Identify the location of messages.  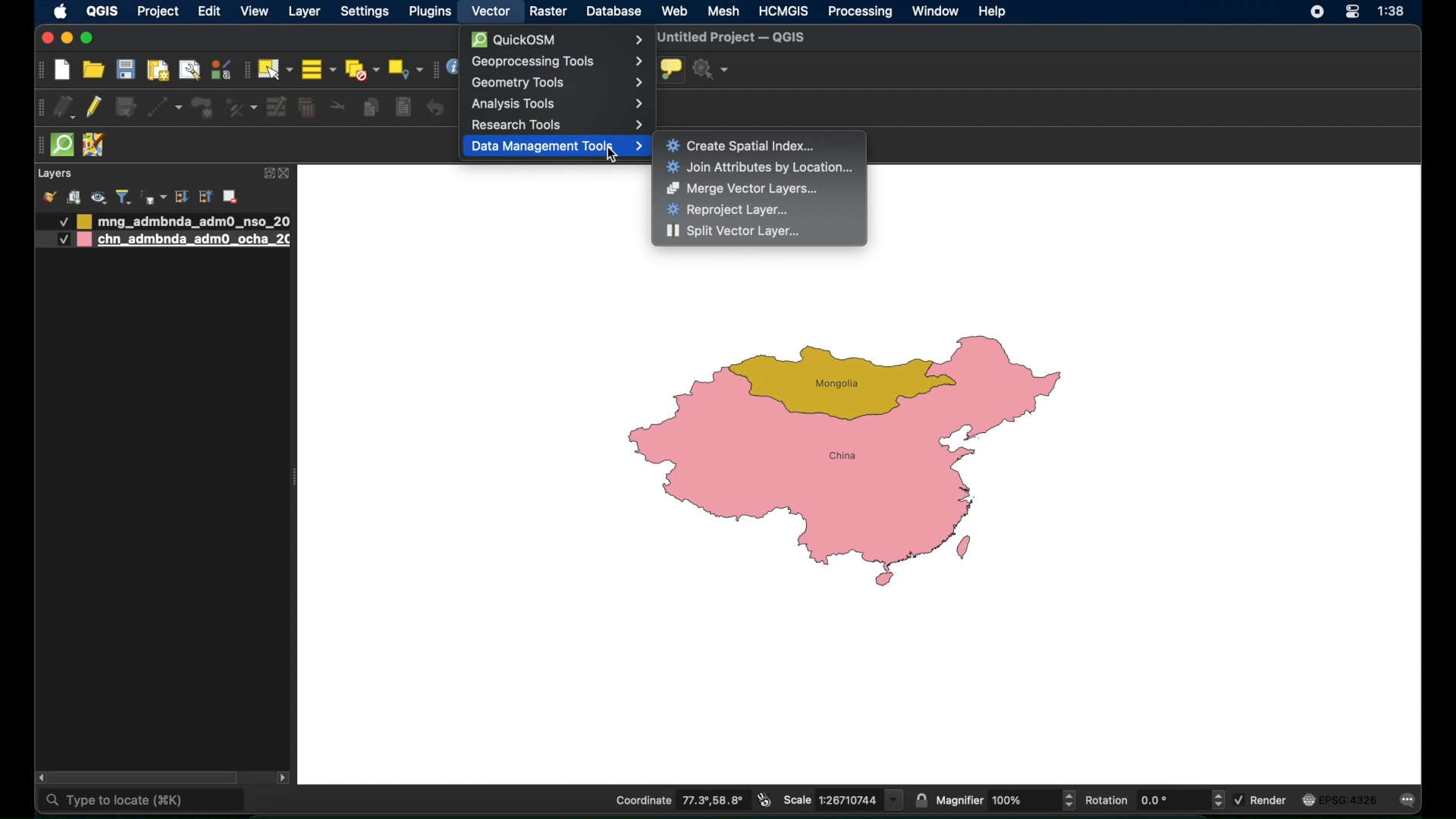
(1410, 801).